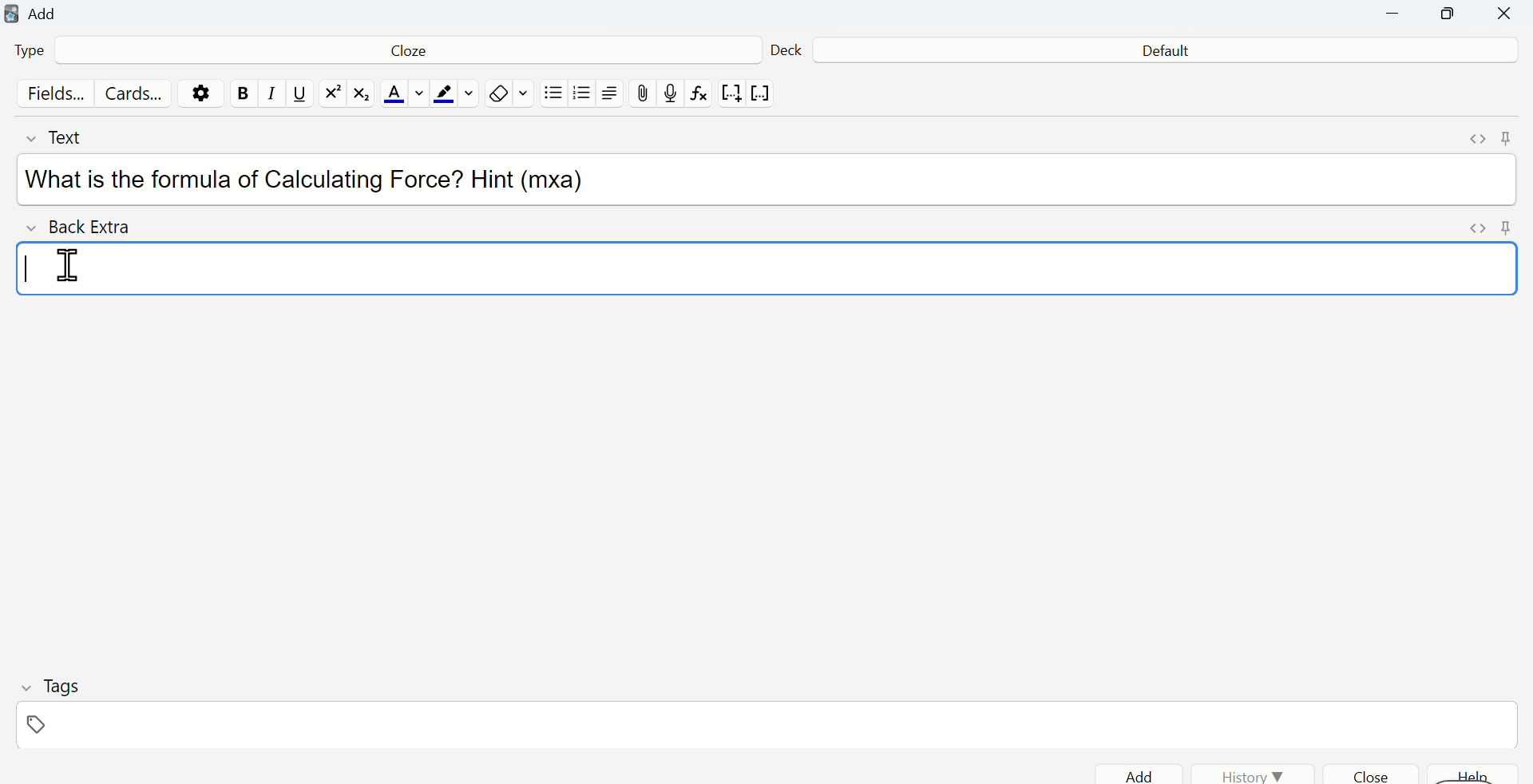 Image resolution: width=1533 pixels, height=784 pixels. I want to click on Bold, so click(243, 93).